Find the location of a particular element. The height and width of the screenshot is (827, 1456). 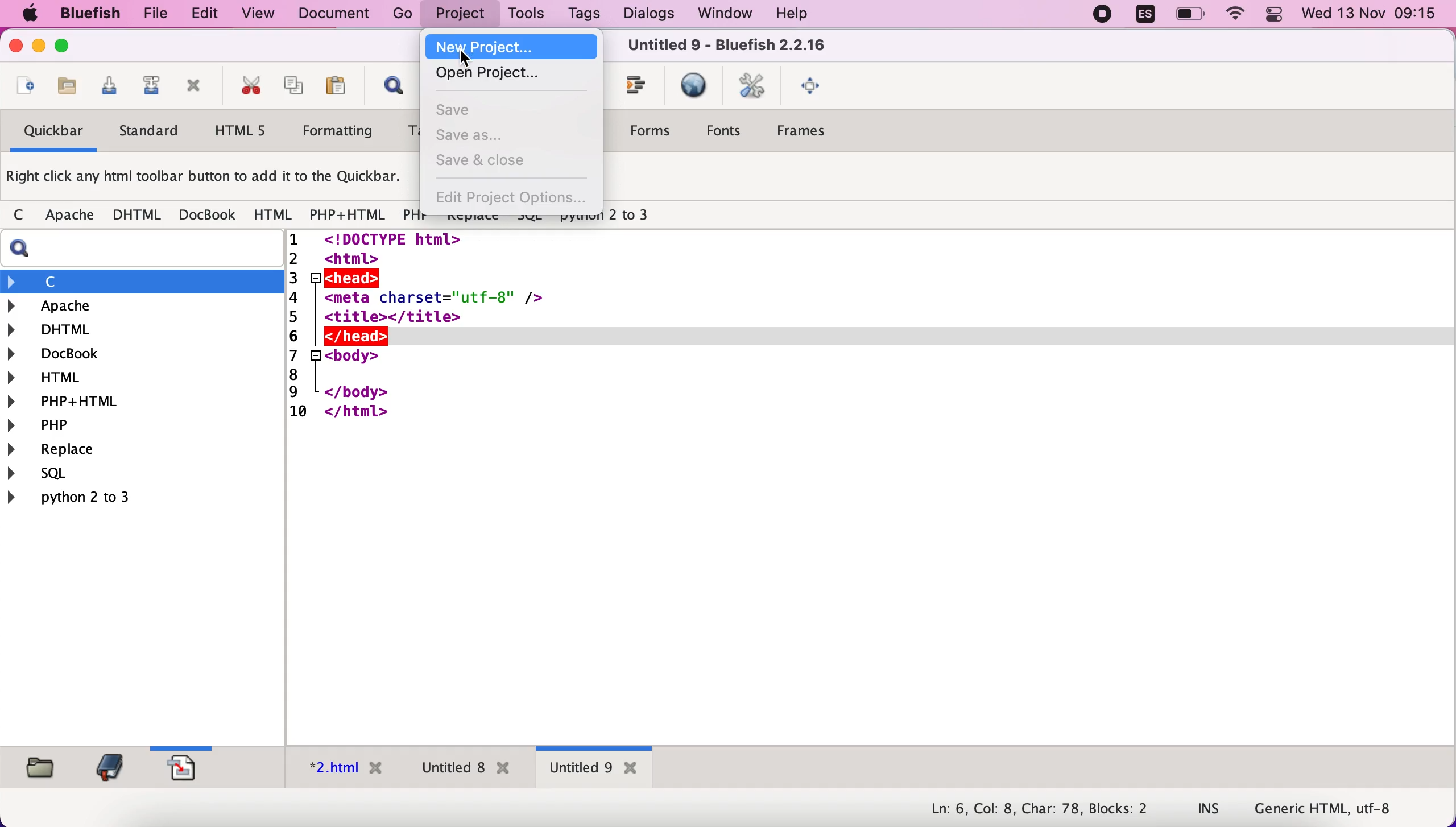

time and date is located at coordinates (1371, 15).